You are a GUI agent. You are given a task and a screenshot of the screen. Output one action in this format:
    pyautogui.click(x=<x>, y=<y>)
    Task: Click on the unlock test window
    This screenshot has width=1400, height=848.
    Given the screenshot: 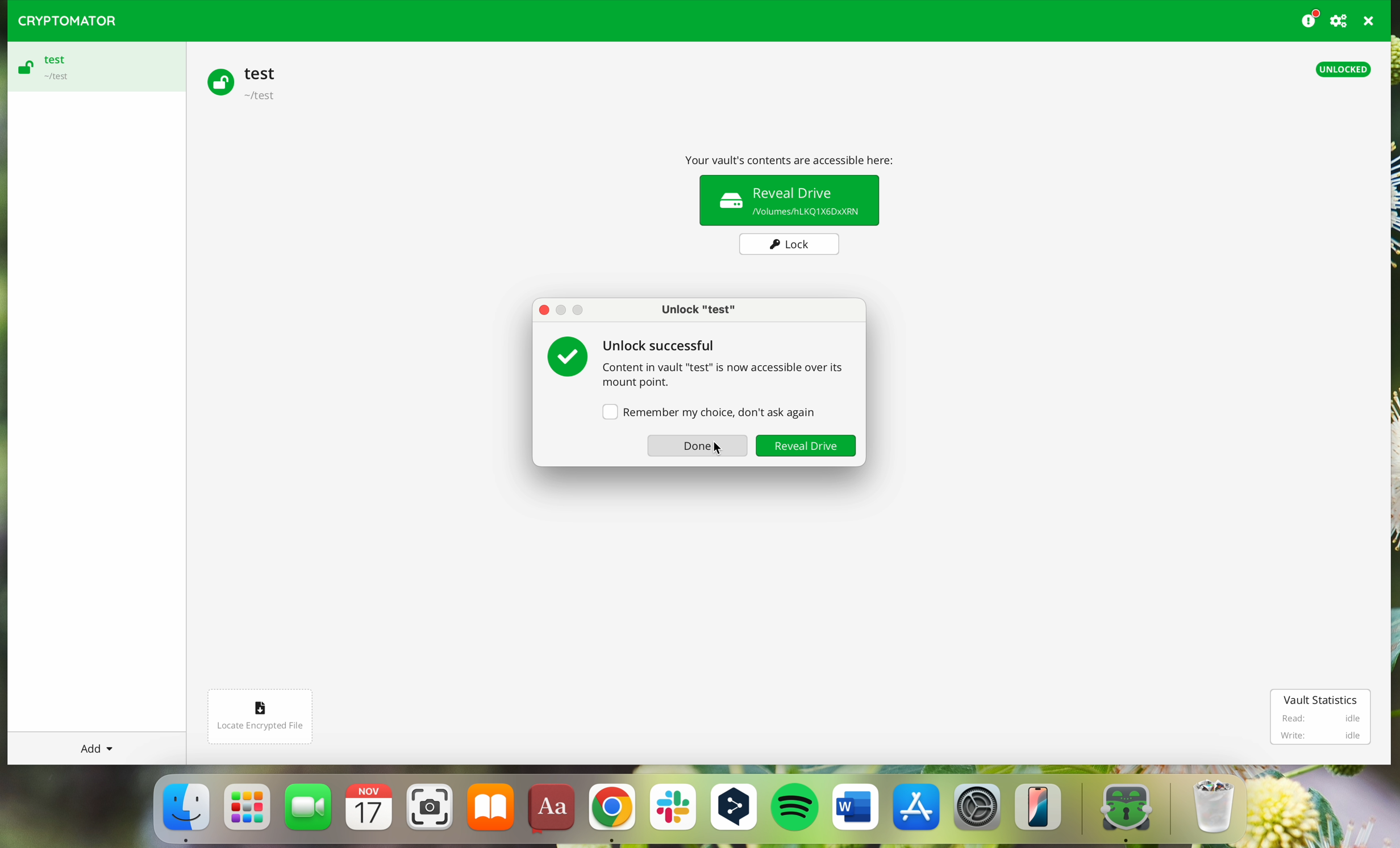 What is the action you would take?
    pyautogui.click(x=700, y=308)
    